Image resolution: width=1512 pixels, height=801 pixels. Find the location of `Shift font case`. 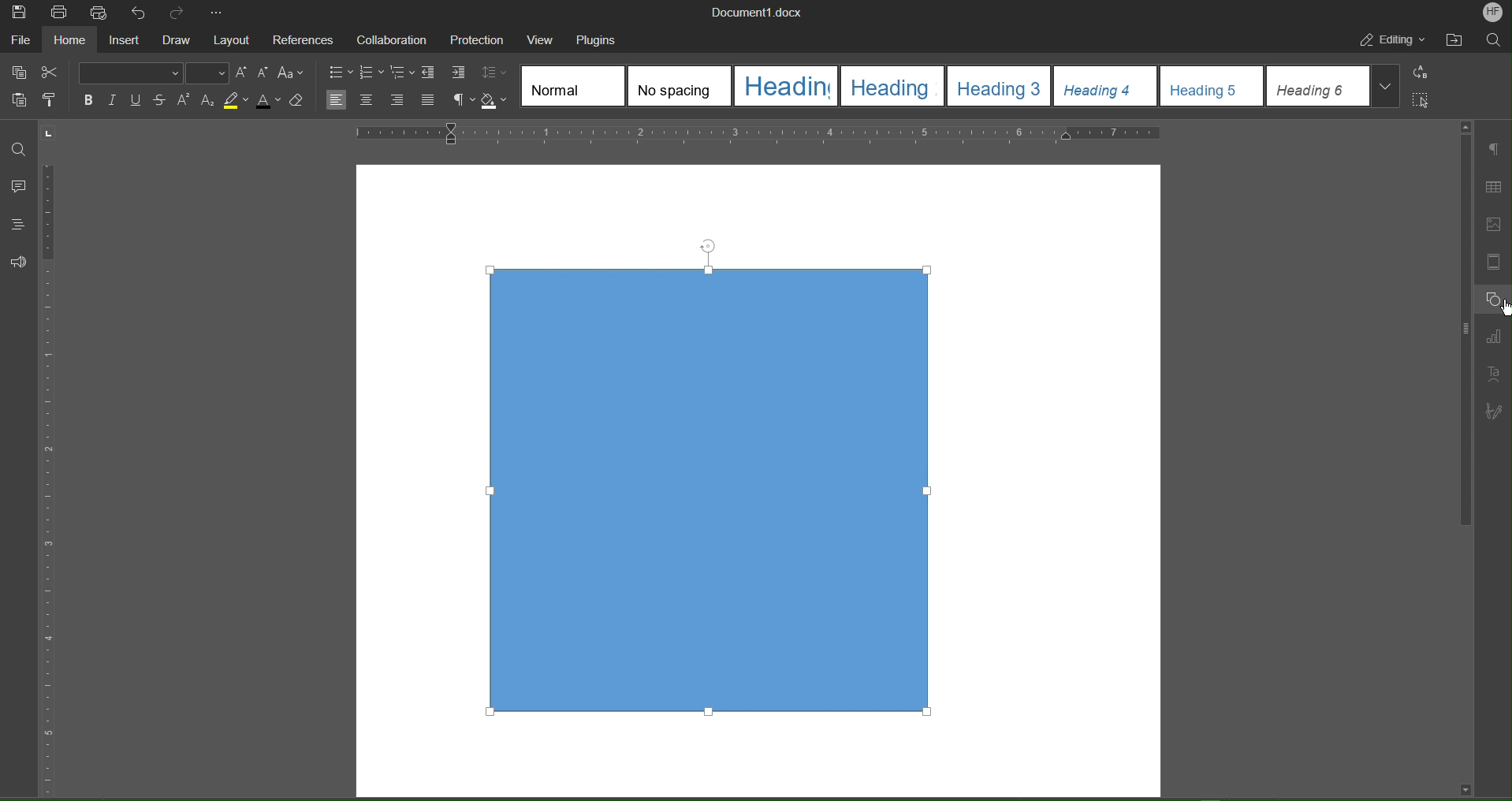

Shift font case is located at coordinates (292, 73).